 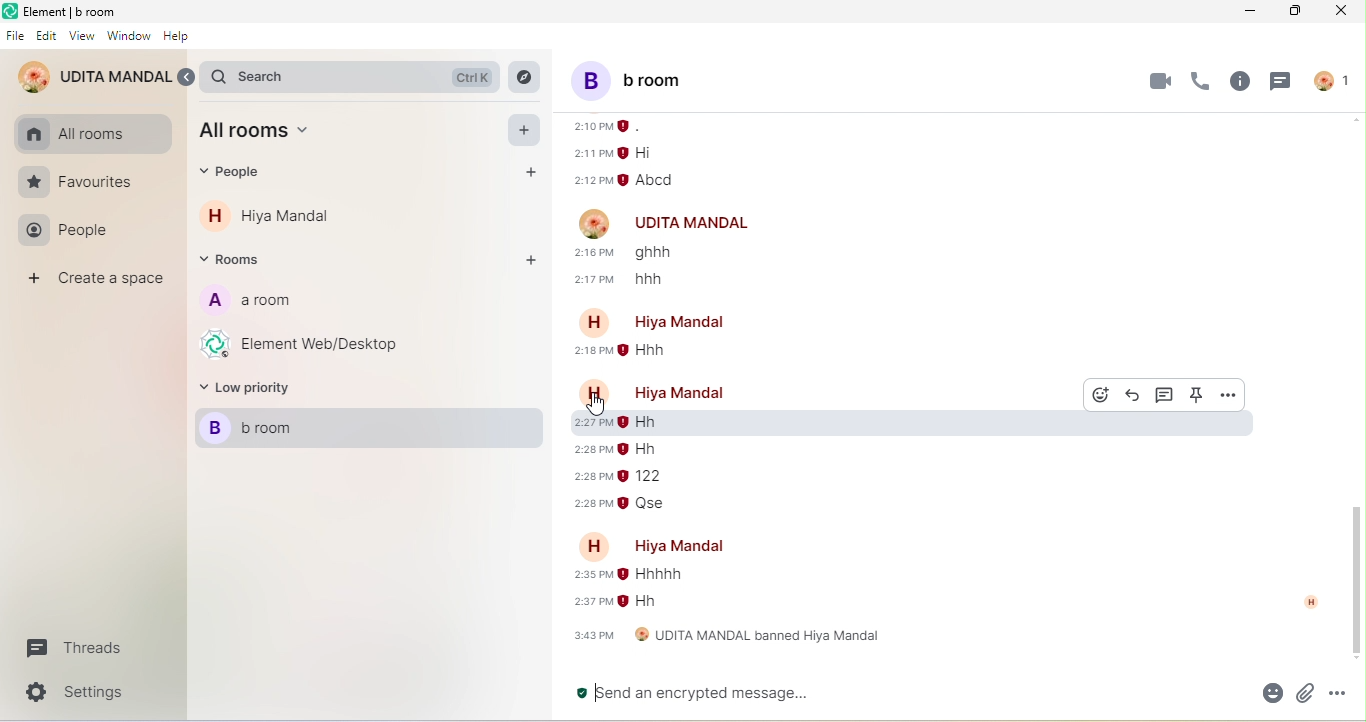 I want to click on element web/desktop, so click(x=306, y=343).